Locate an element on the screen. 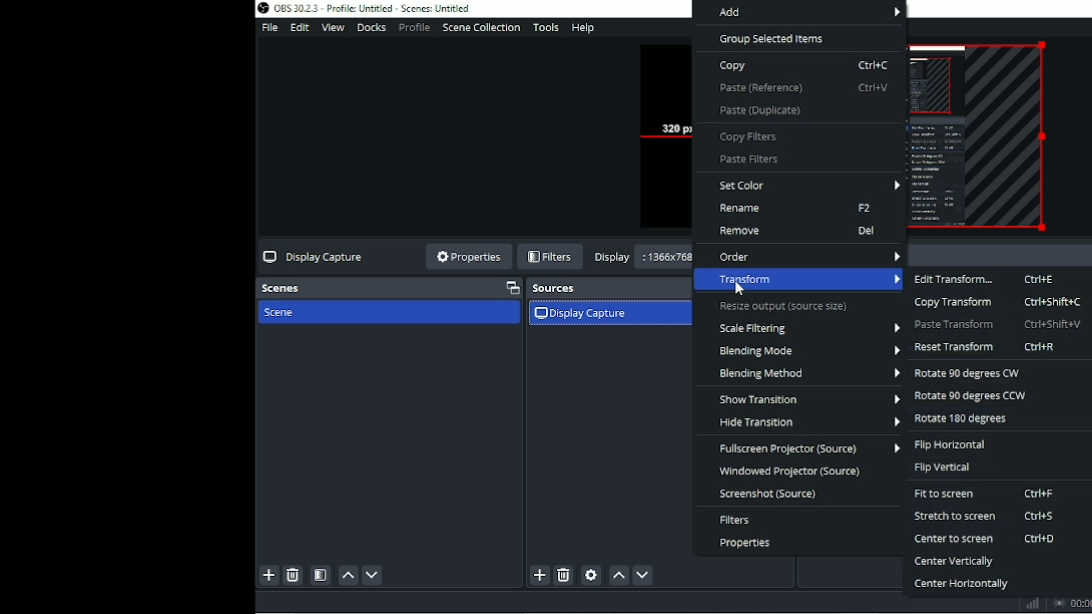 Image resolution: width=1092 pixels, height=614 pixels. Stop recording is located at coordinates (1070, 602).